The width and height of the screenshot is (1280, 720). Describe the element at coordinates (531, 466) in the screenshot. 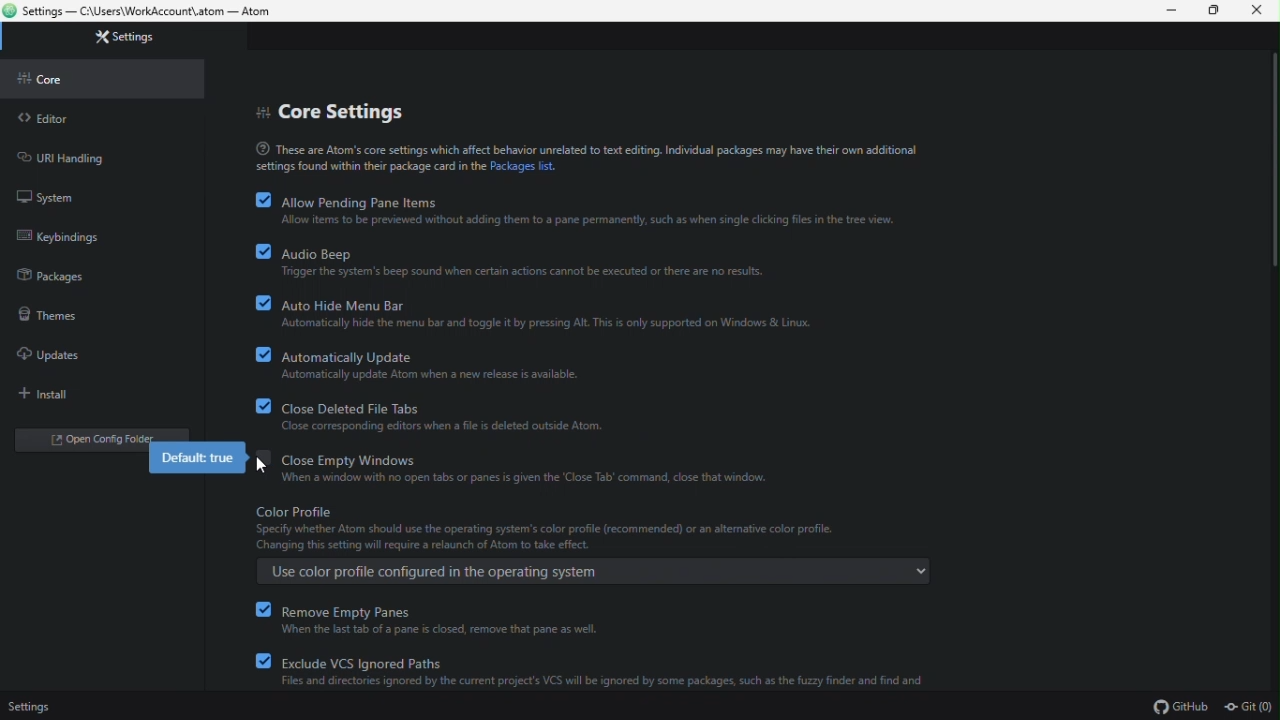

I see `close empty windows` at that location.